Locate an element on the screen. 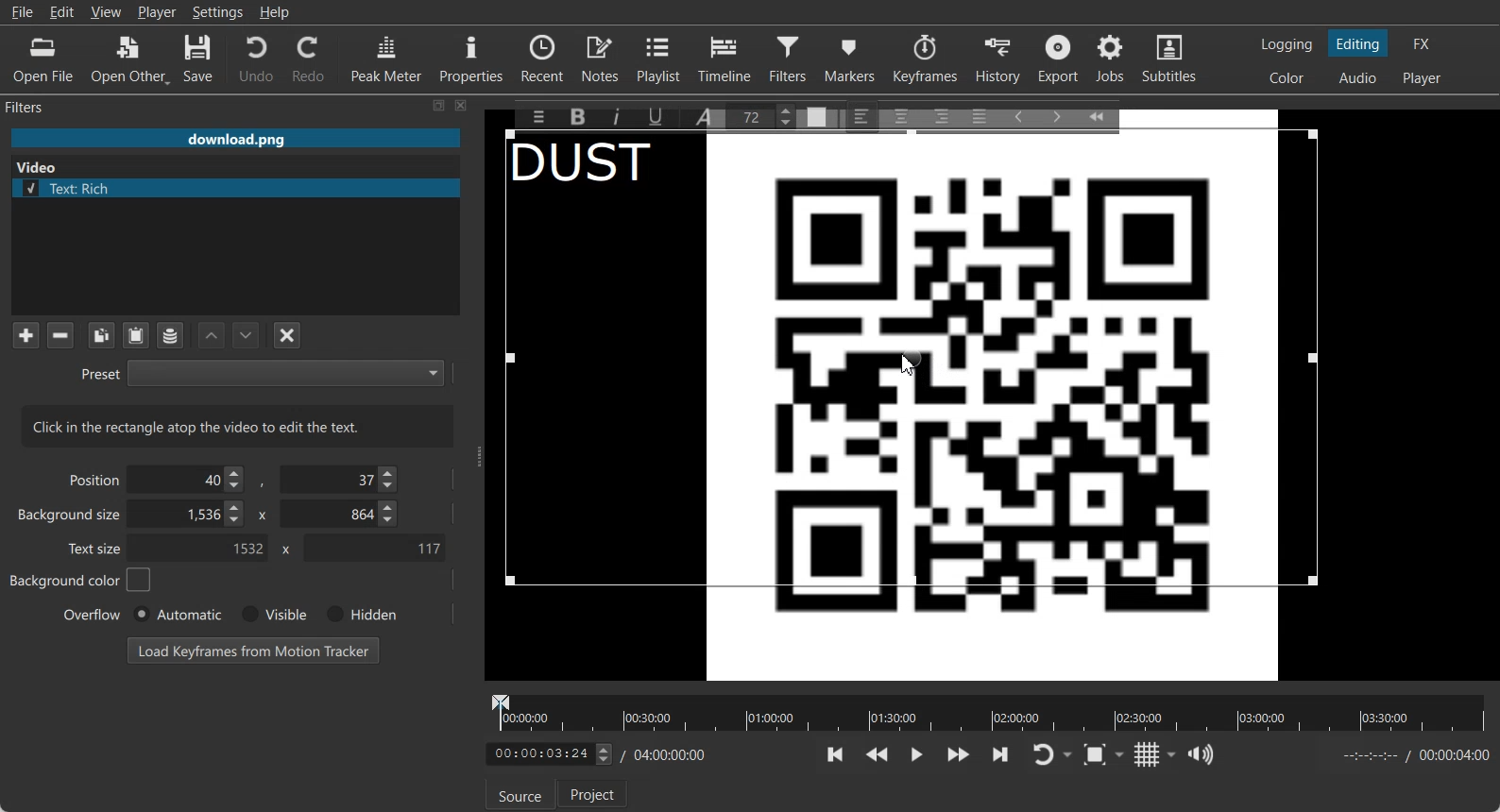 The image size is (1500, 812). Cursor is located at coordinates (909, 364).